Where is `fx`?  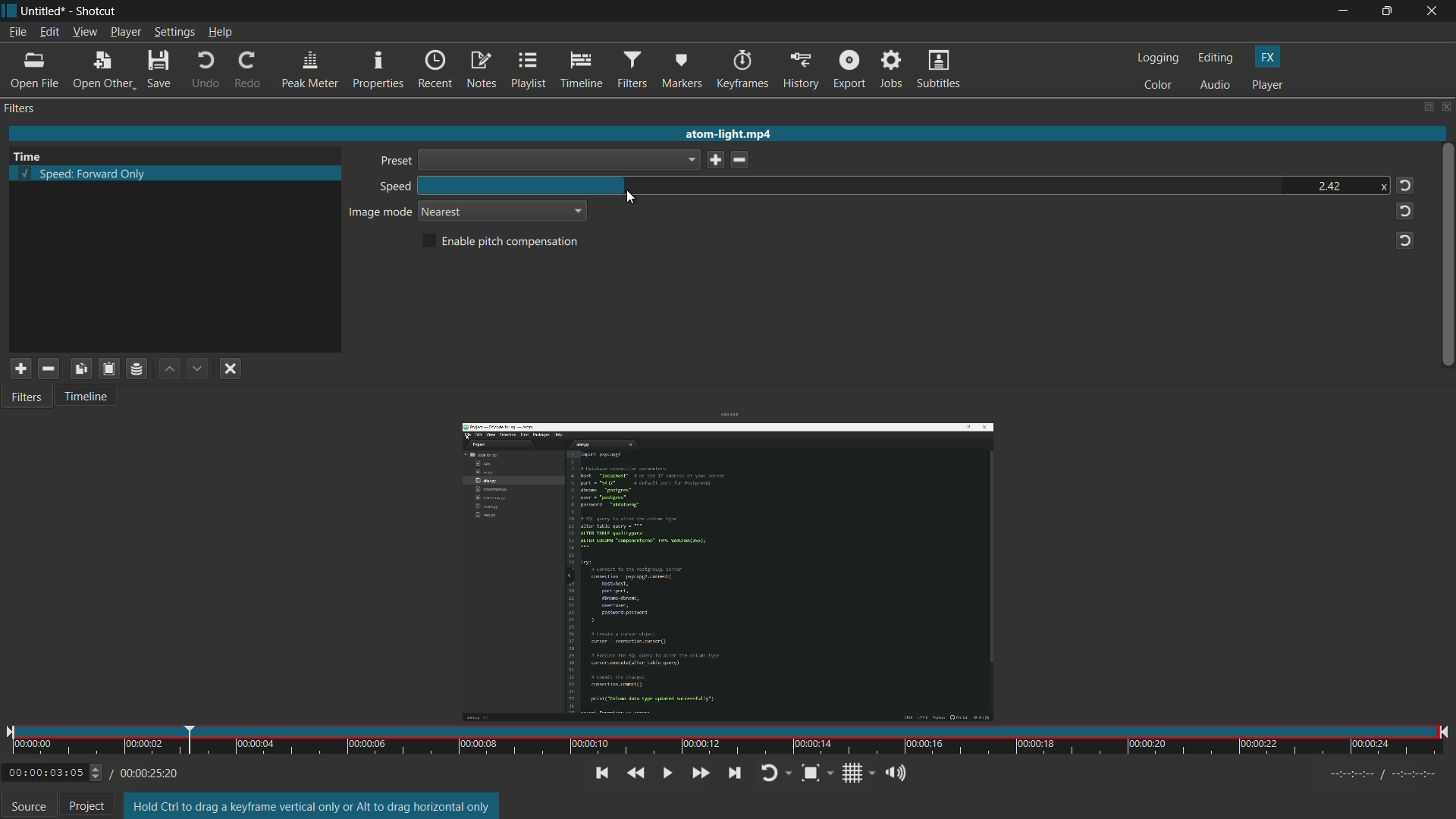
fx is located at coordinates (1270, 58).